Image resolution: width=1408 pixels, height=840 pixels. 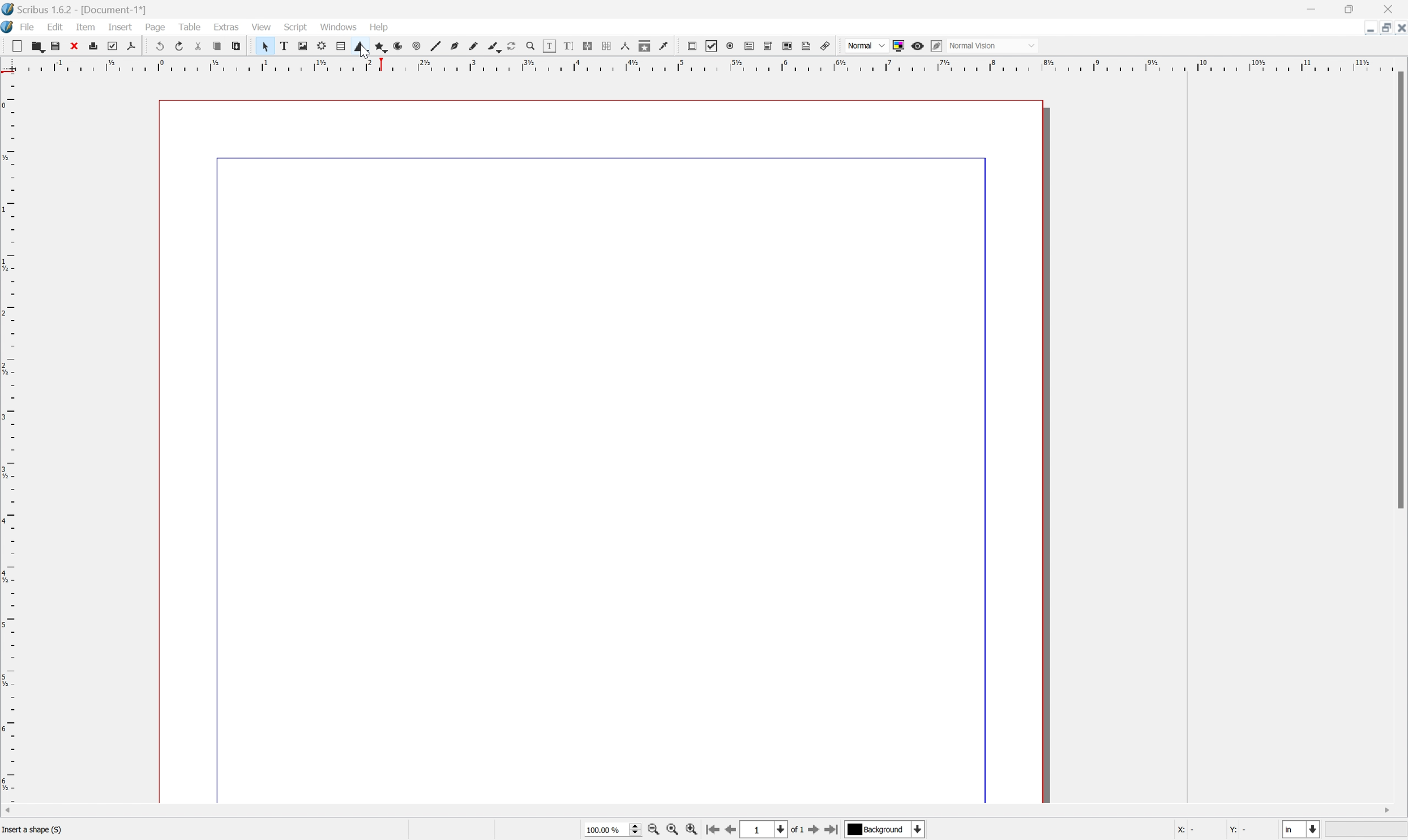 What do you see at coordinates (376, 47) in the screenshot?
I see `Polygon` at bounding box center [376, 47].